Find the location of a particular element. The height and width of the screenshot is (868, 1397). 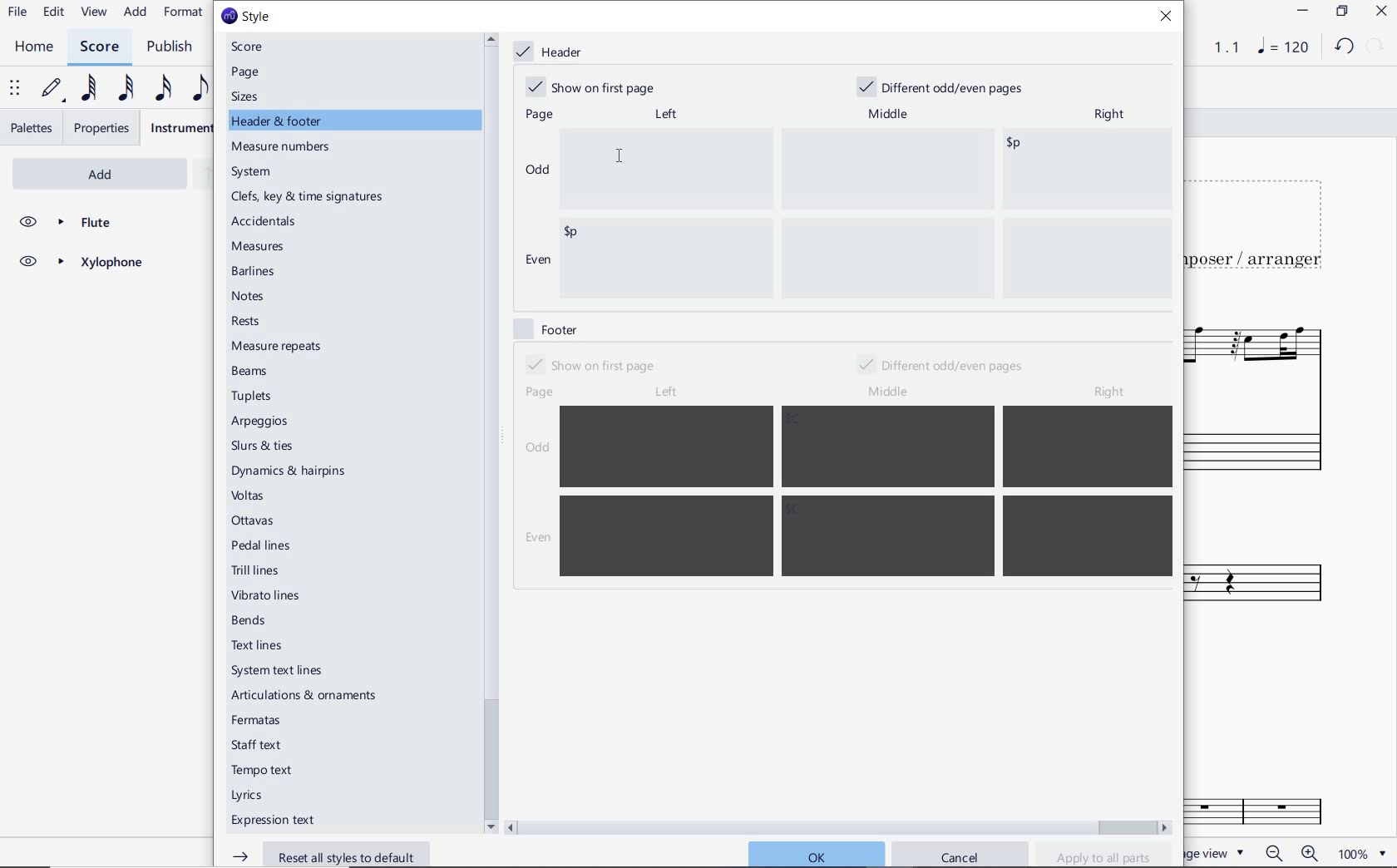

bends is located at coordinates (252, 621).